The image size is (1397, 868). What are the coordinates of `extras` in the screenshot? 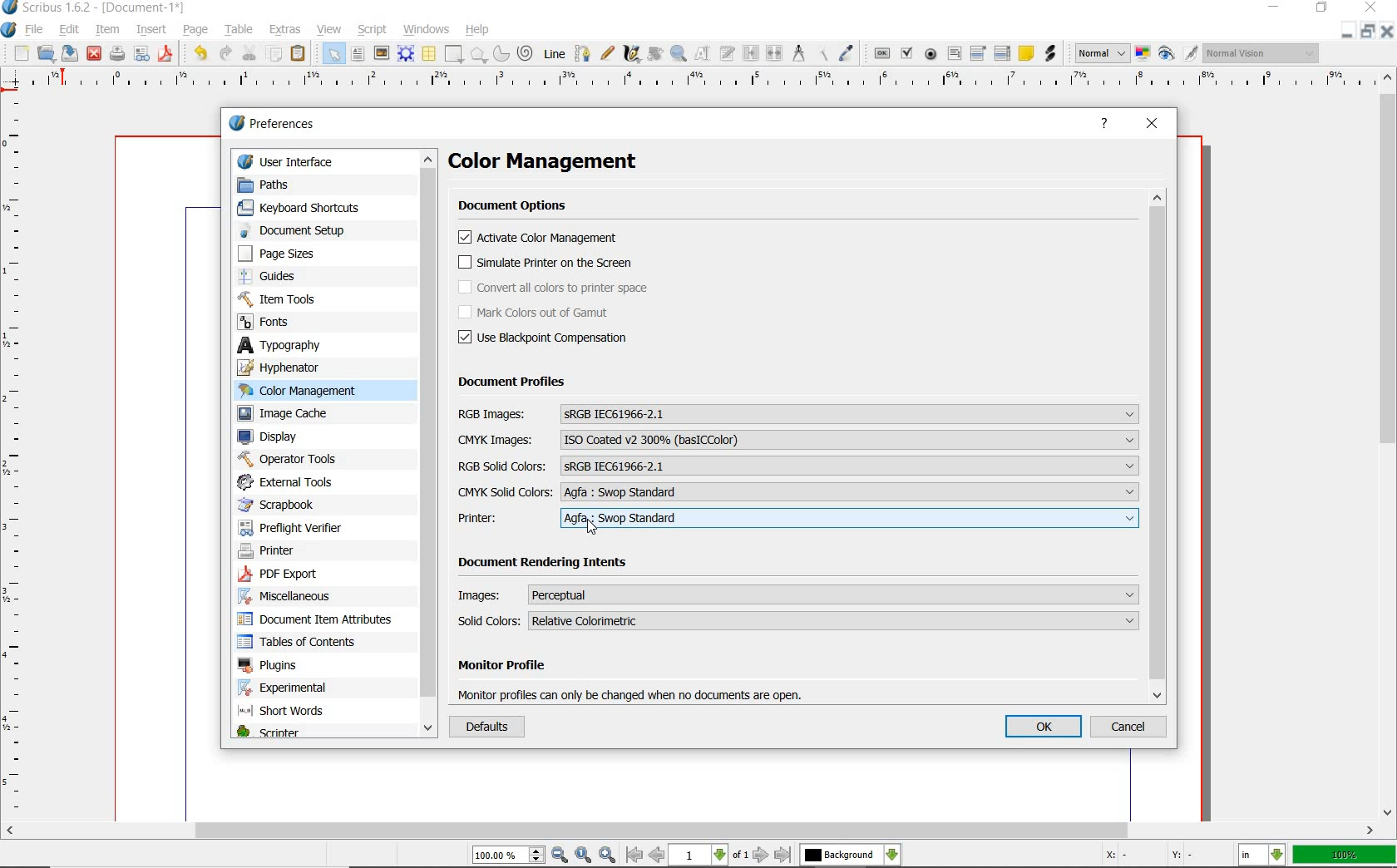 It's located at (287, 30).